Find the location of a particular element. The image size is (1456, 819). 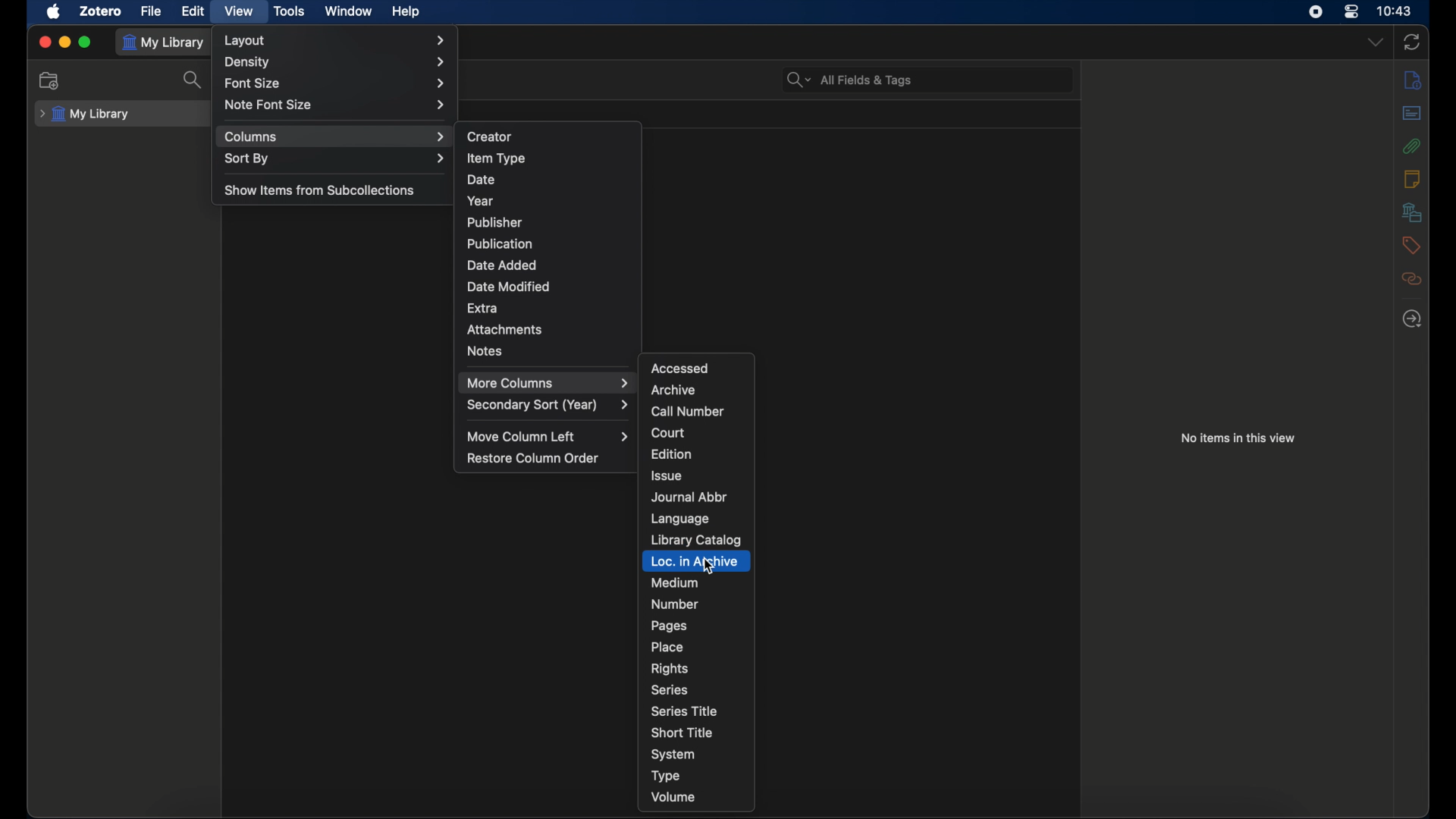

attachments is located at coordinates (505, 330).